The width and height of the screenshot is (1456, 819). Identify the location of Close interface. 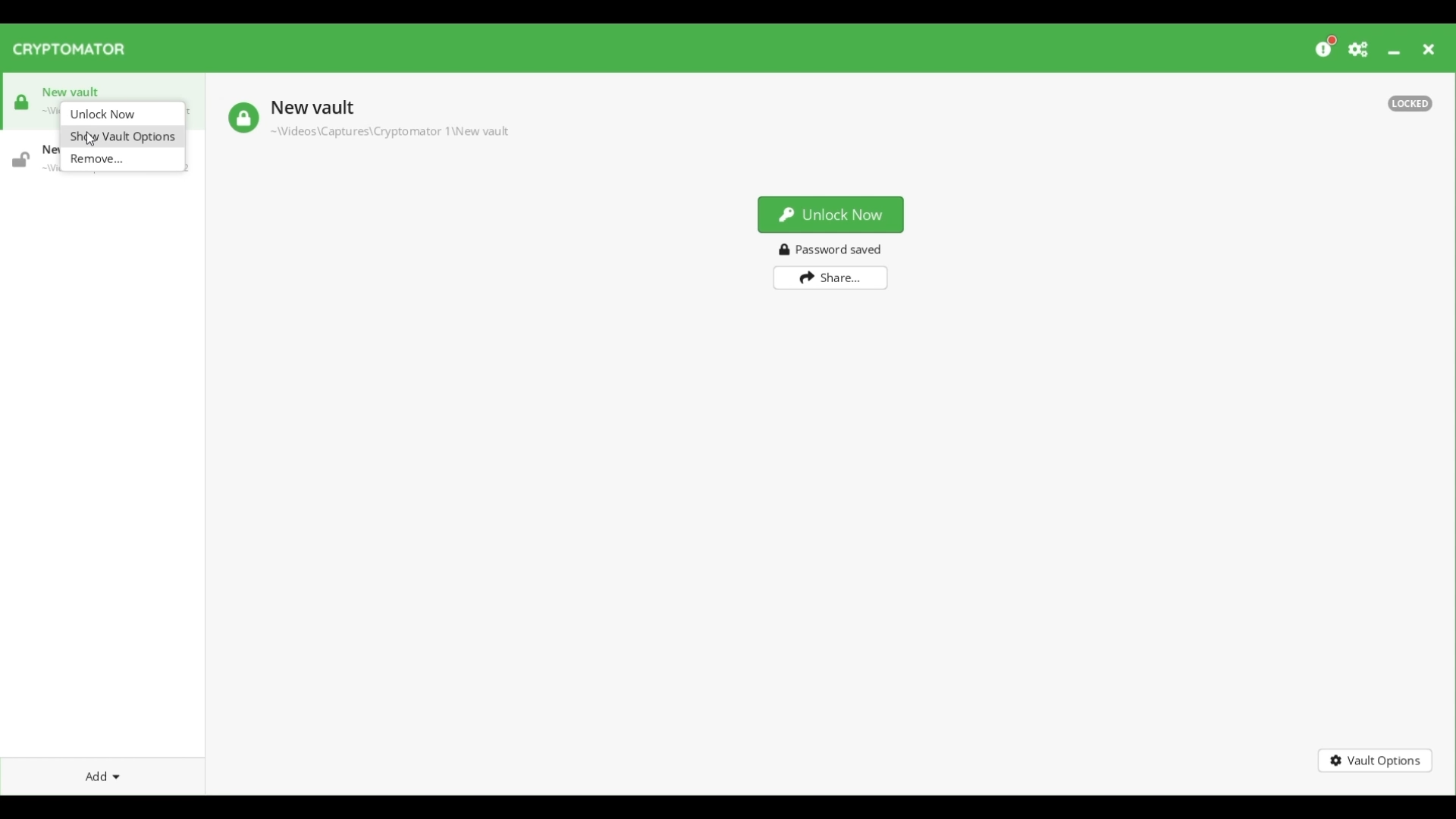
(1429, 49).